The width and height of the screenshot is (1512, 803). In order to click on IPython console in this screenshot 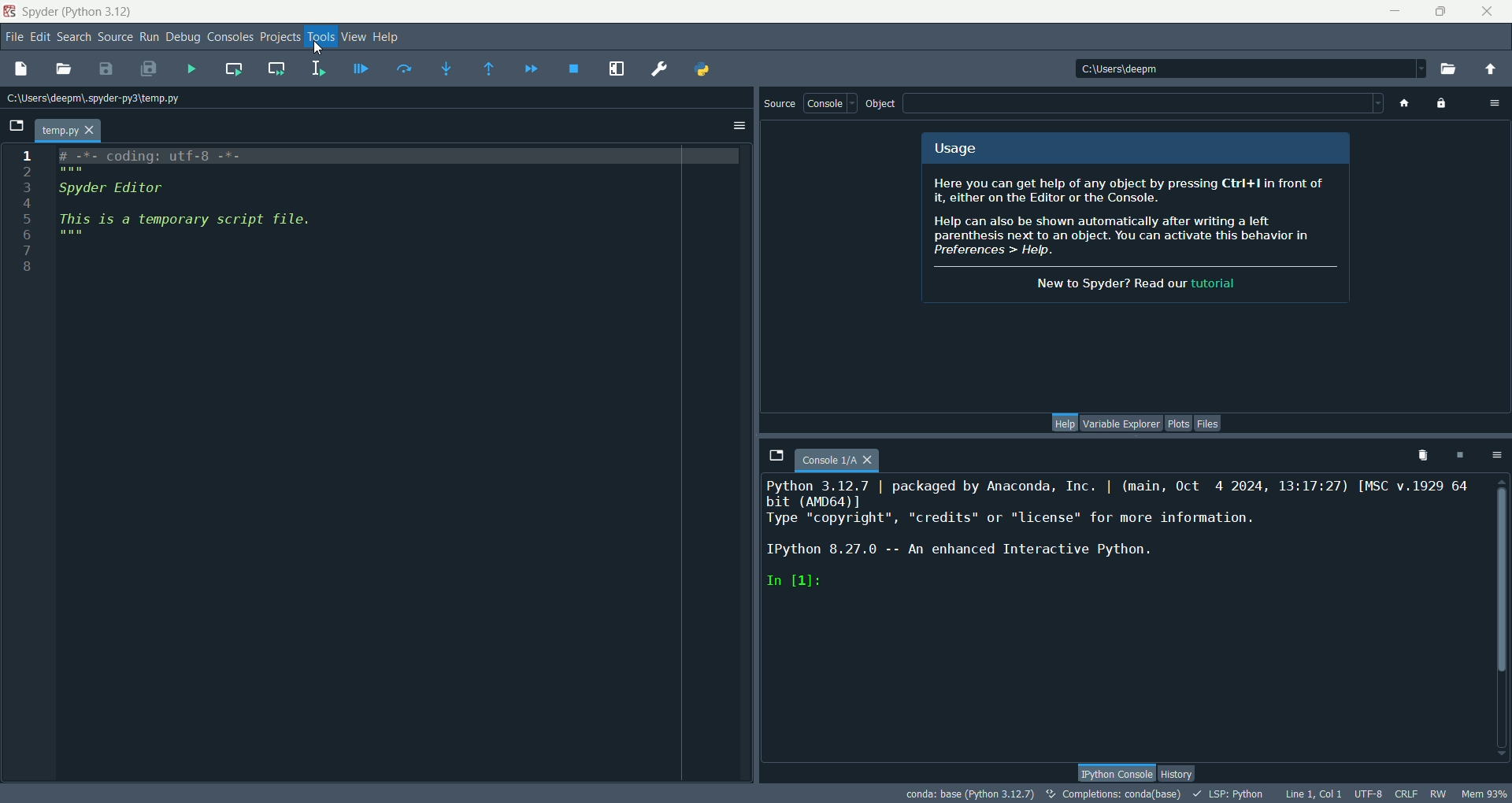, I will do `click(1114, 771)`.